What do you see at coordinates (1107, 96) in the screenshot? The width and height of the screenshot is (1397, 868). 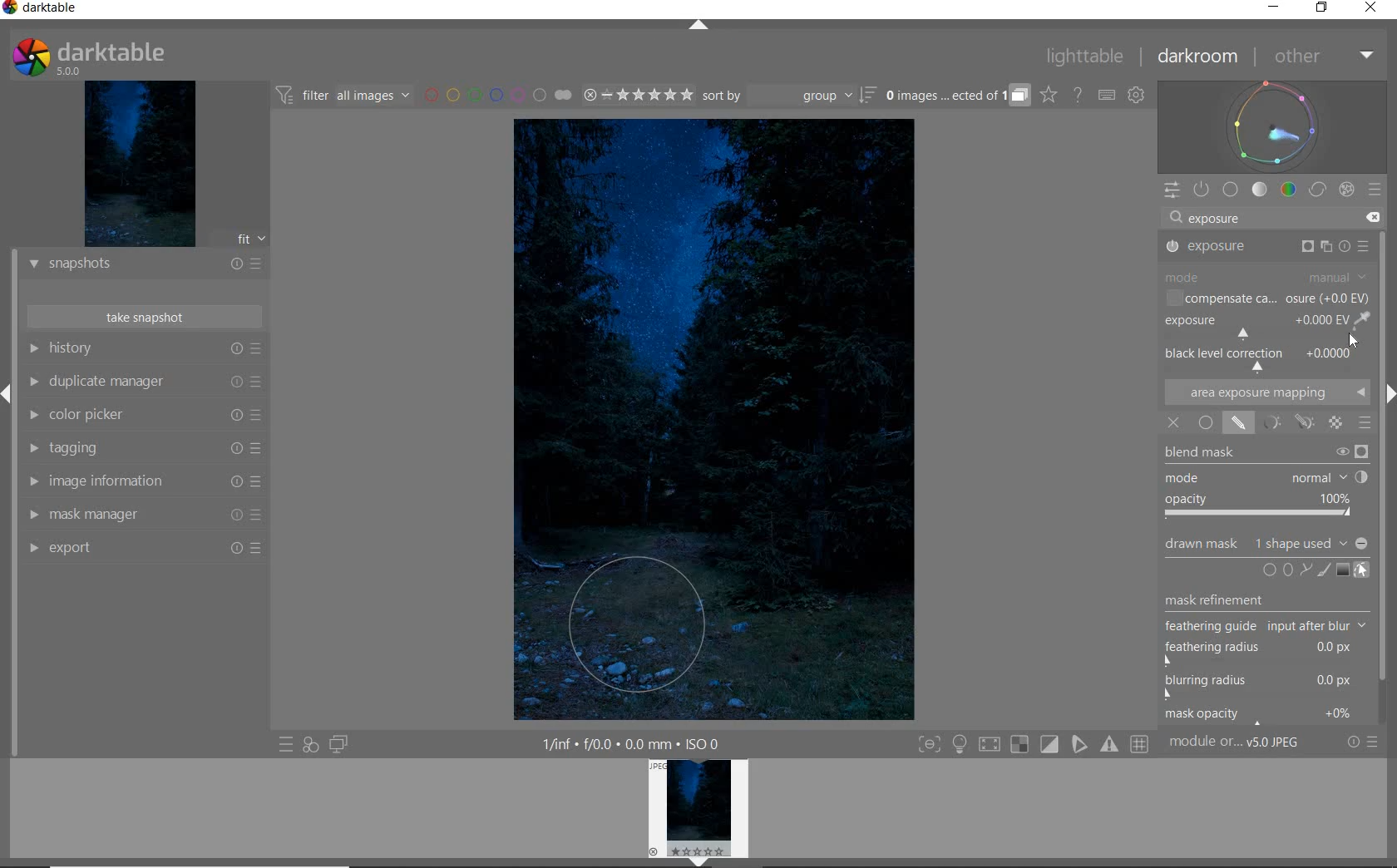 I see `SET KEYBOARD SHORTCUTS` at bounding box center [1107, 96].